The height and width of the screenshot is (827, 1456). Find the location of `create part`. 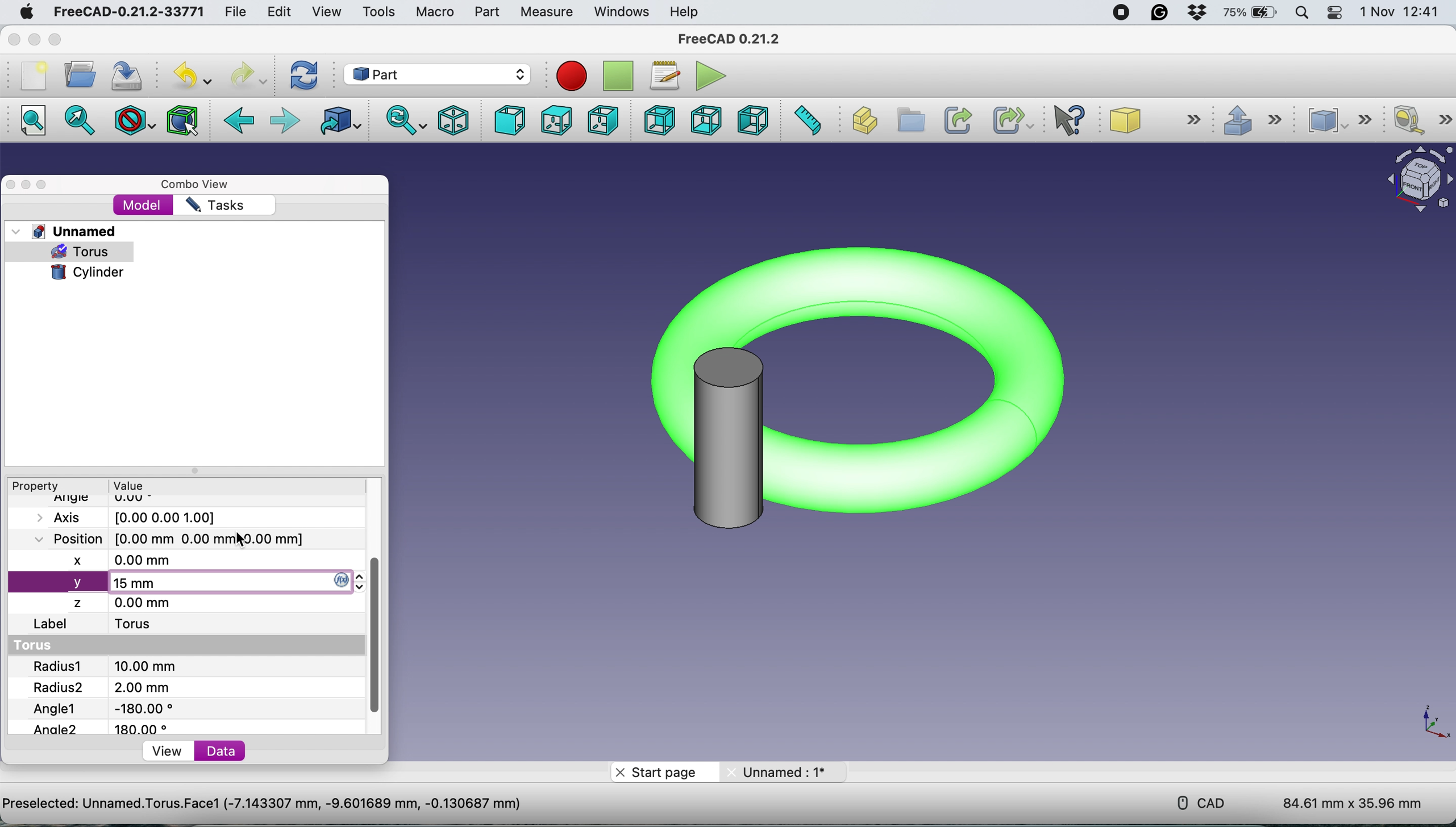

create part is located at coordinates (863, 123).